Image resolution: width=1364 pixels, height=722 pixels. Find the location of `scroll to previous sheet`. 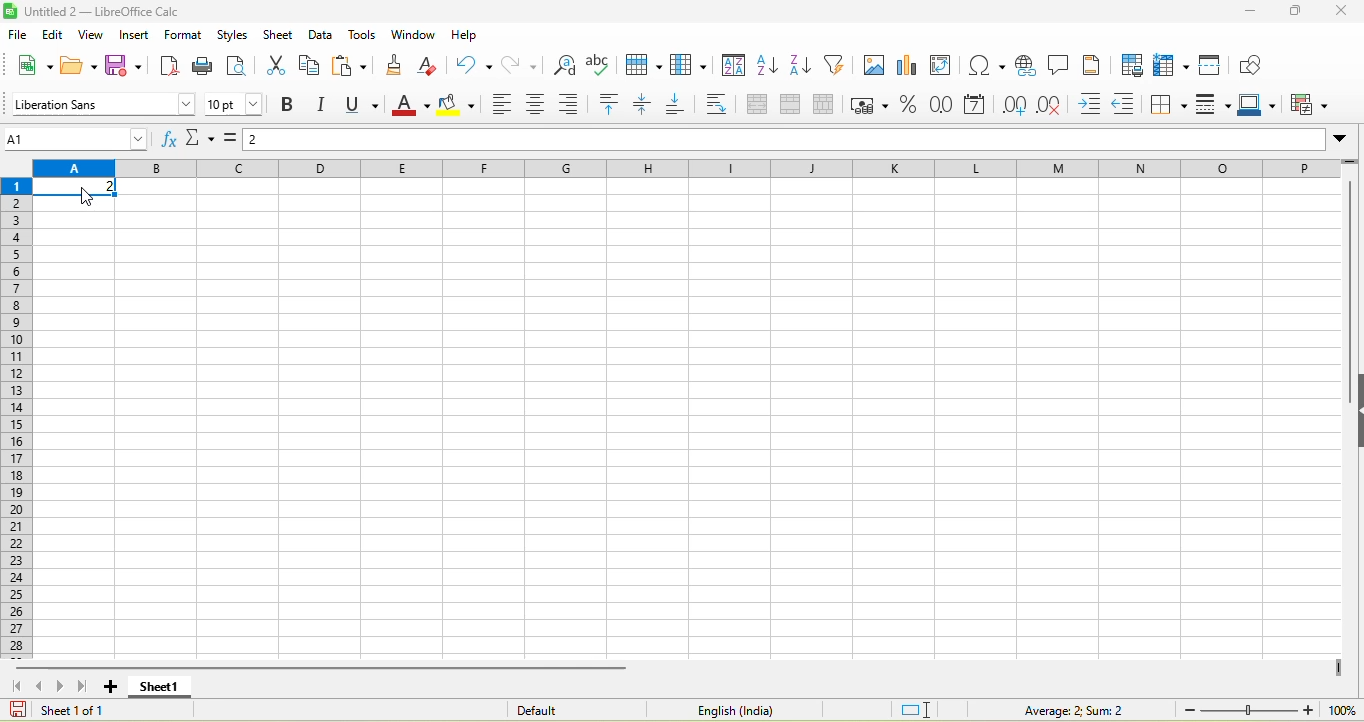

scroll to previous sheet is located at coordinates (41, 687).